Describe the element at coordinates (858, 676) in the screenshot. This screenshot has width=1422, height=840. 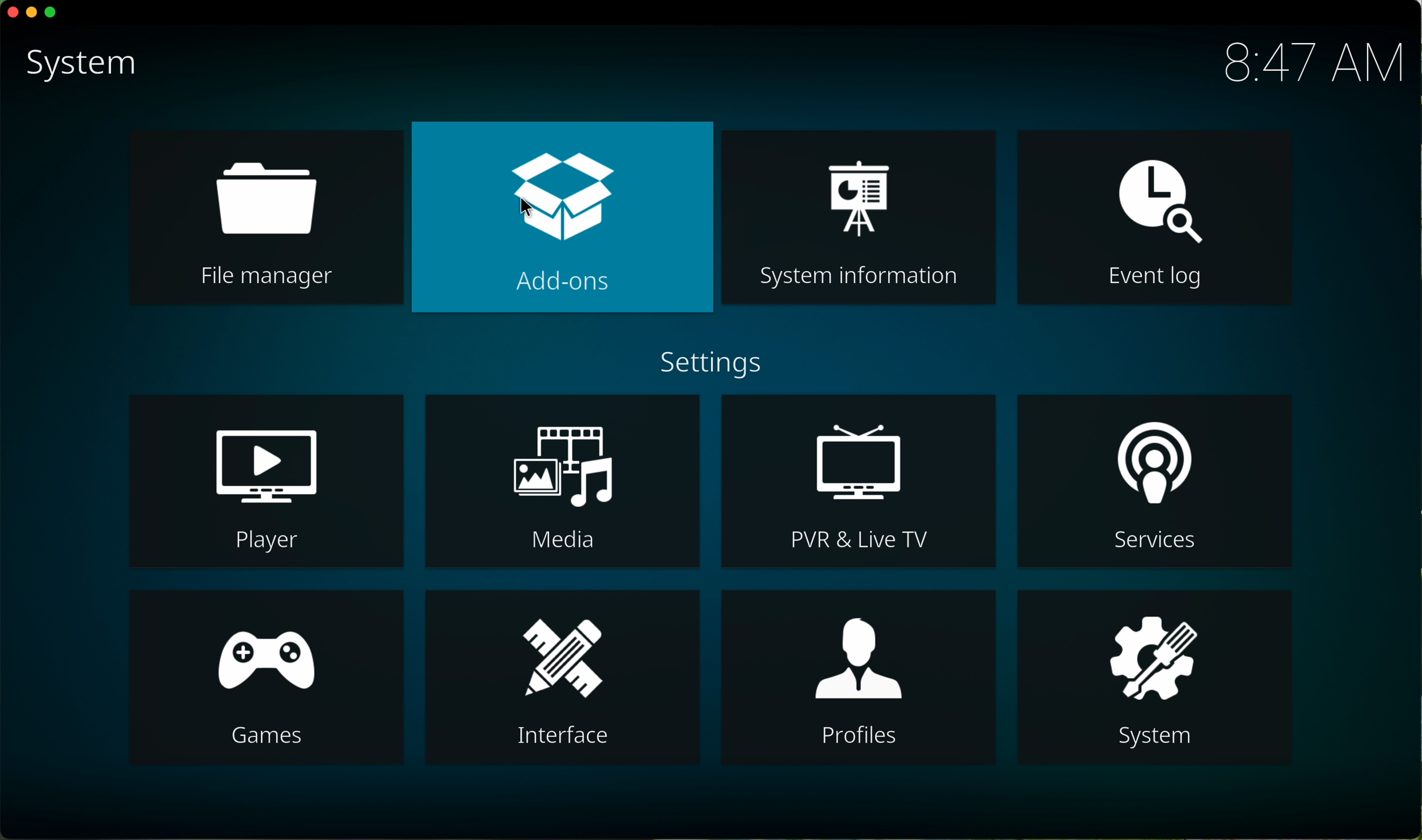
I see `profiles` at that location.